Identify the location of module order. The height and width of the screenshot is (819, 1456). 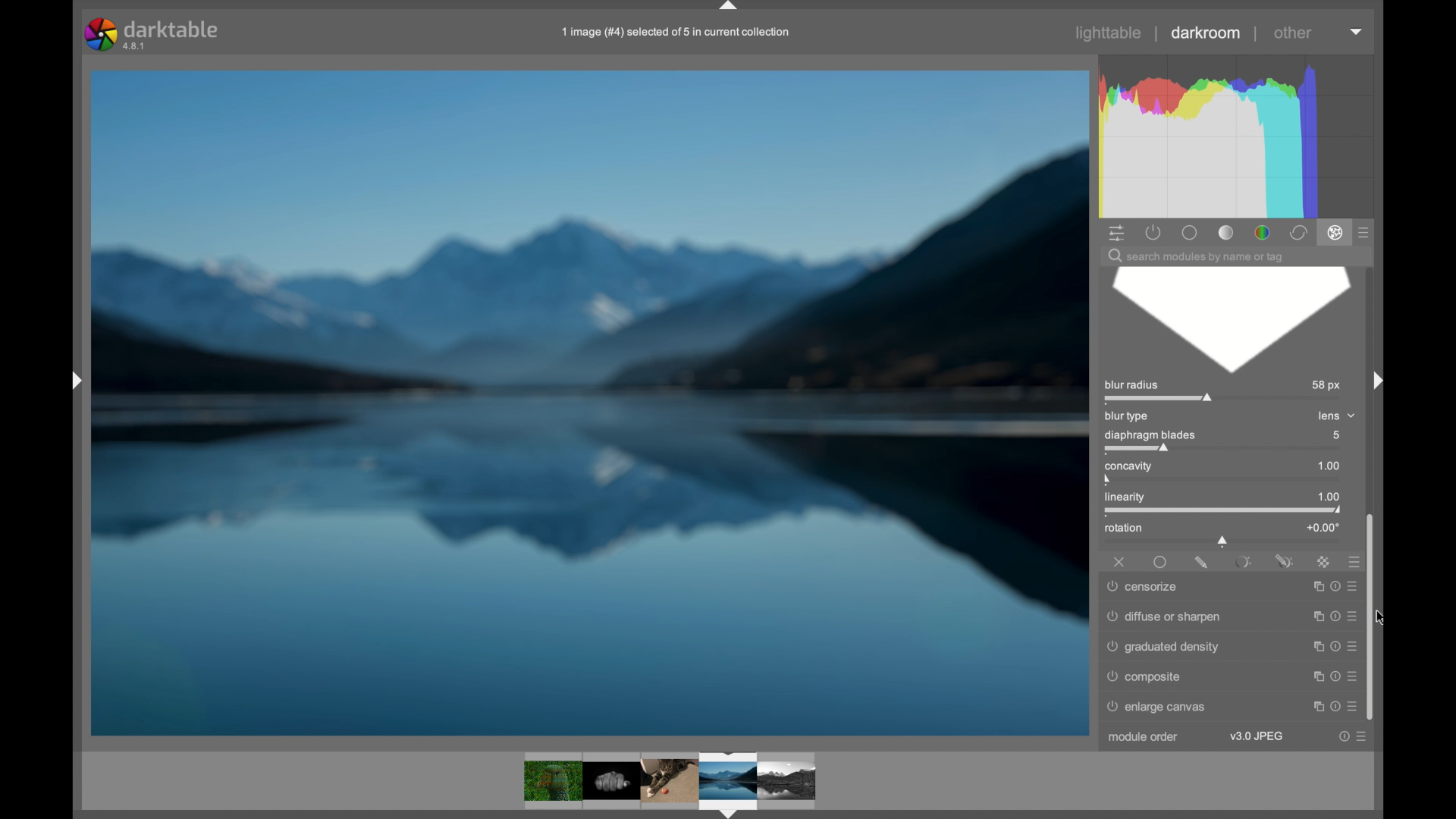
(1142, 737).